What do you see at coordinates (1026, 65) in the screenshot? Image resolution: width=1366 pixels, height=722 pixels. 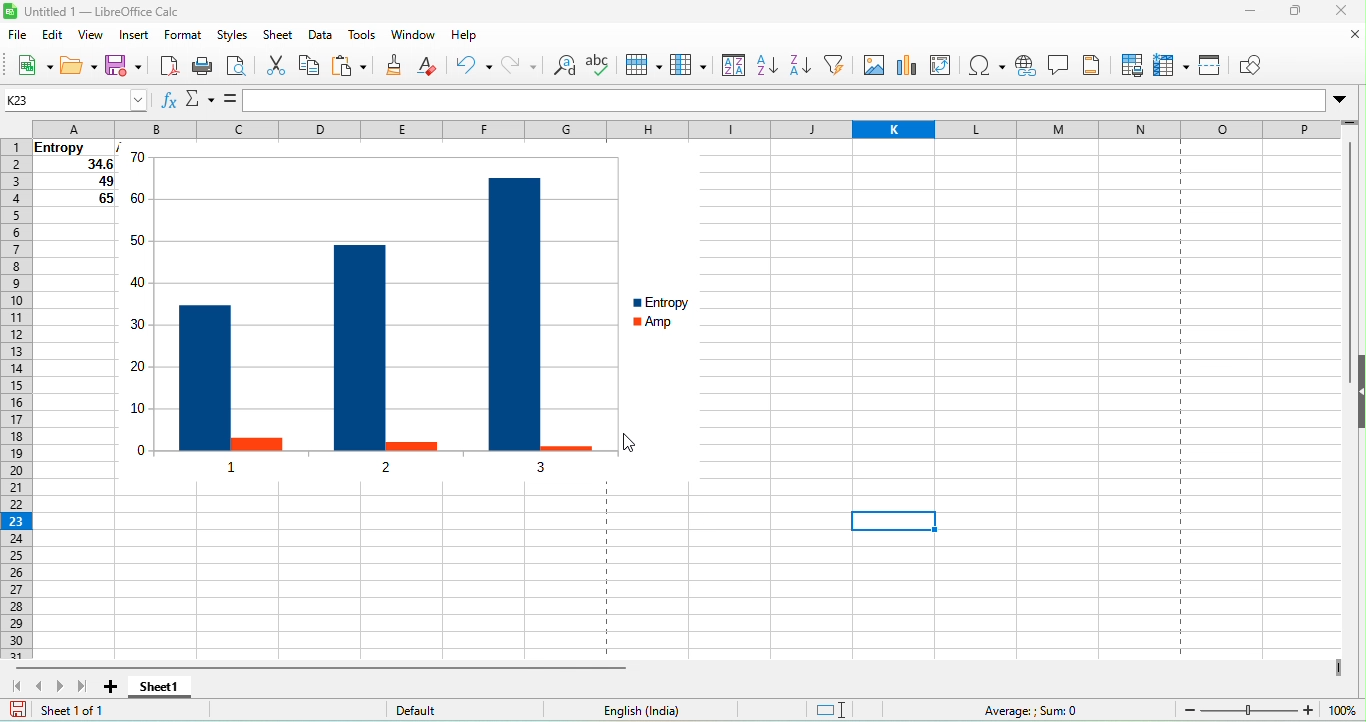 I see `hyperlink` at bounding box center [1026, 65].